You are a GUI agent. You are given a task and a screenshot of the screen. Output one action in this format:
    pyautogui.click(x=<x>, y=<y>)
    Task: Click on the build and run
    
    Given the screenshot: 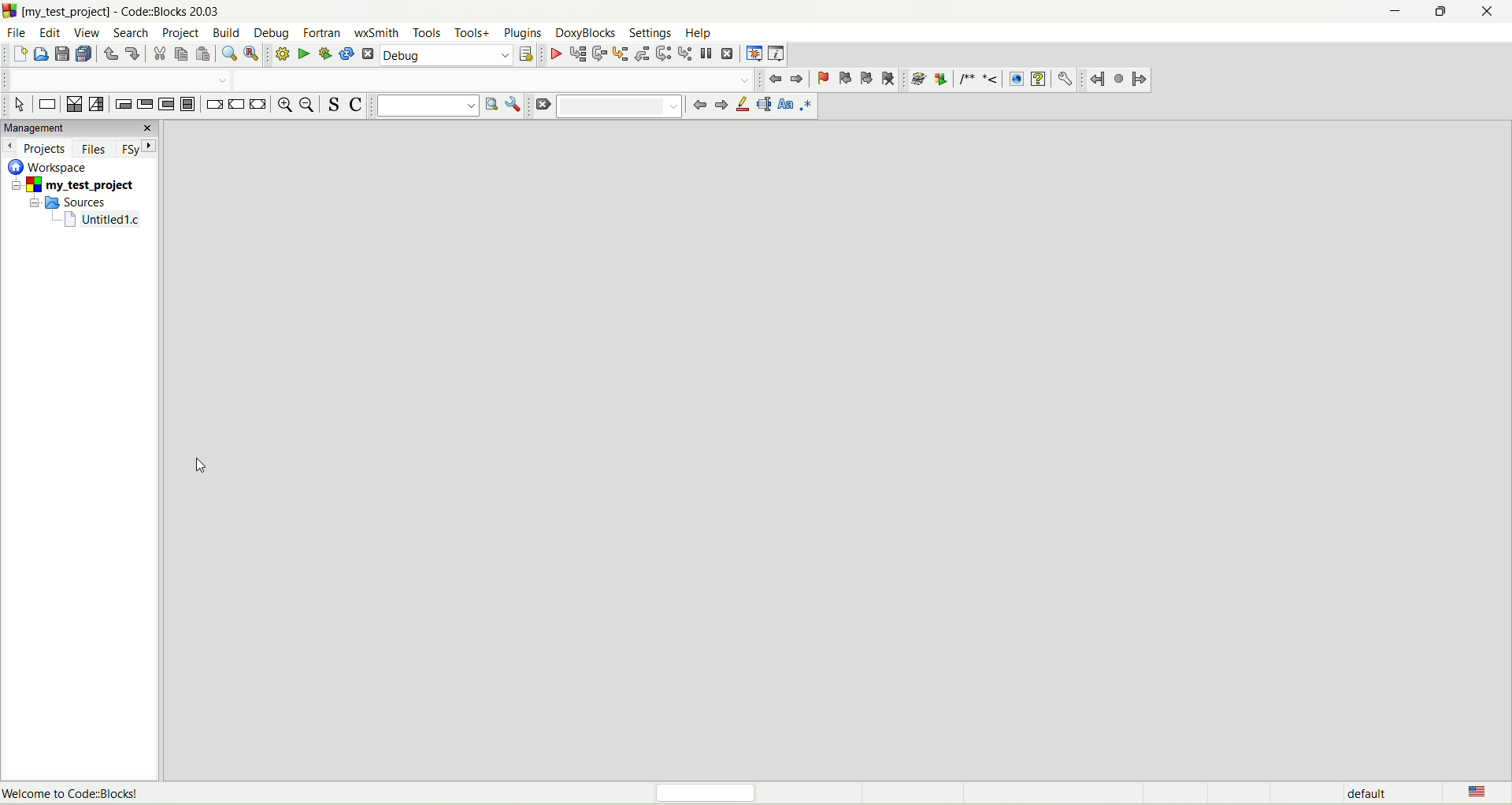 What is the action you would take?
    pyautogui.click(x=325, y=53)
    